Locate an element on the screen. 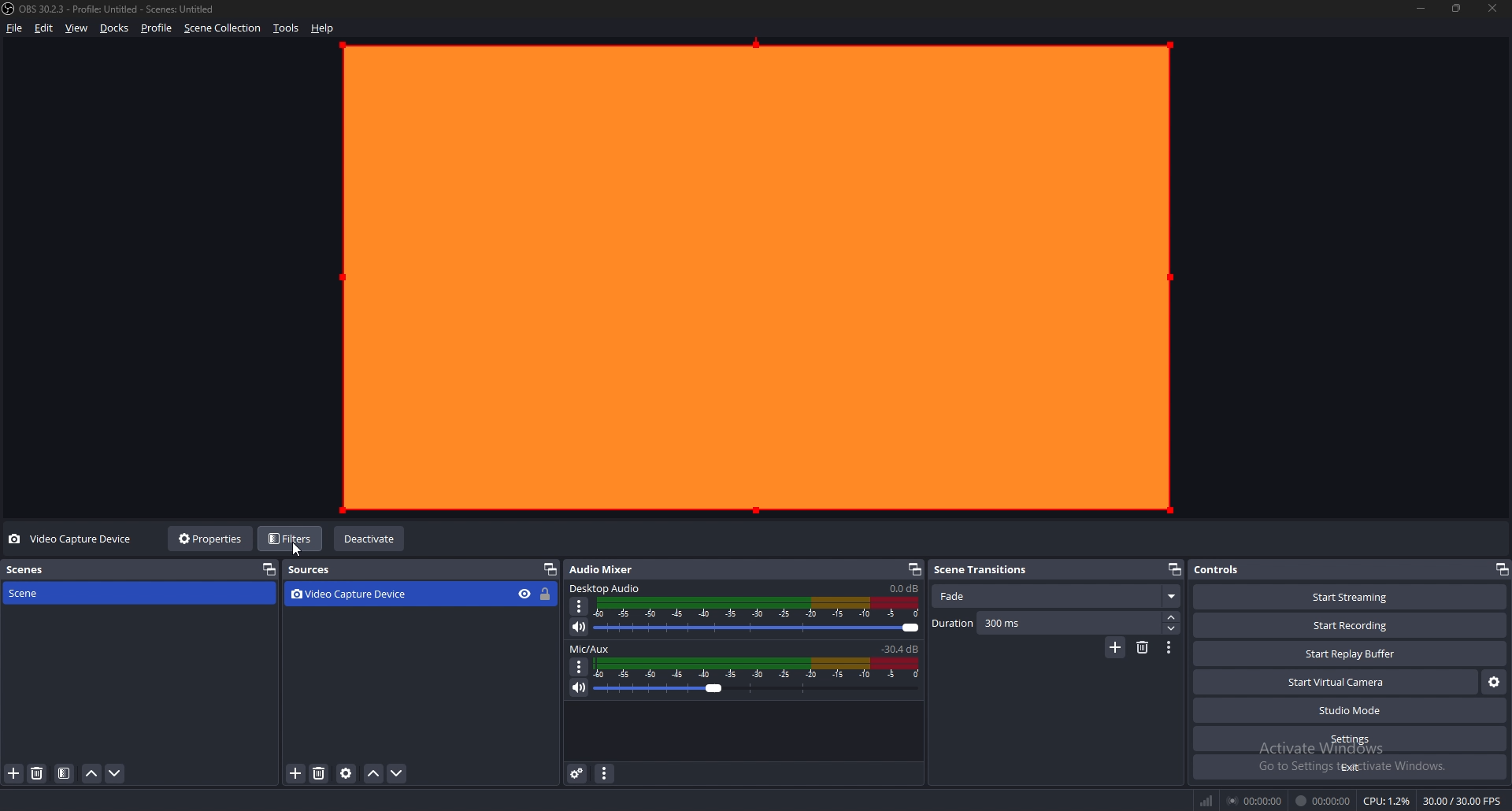 This screenshot has width=1512, height=811. filter is located at coordinates (65, 774).